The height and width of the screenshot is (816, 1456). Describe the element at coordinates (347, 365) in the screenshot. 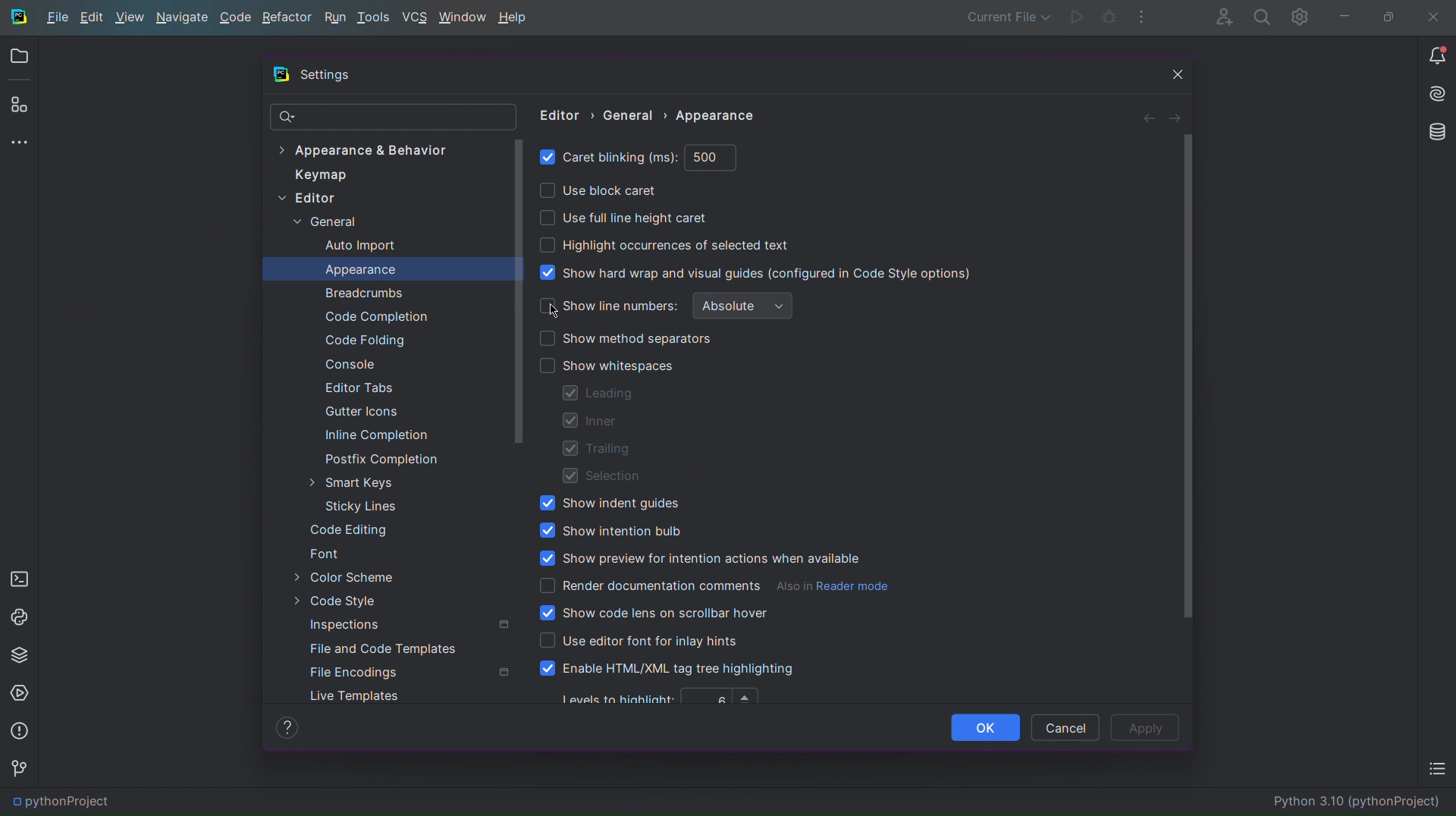

I see `Console` at that location.